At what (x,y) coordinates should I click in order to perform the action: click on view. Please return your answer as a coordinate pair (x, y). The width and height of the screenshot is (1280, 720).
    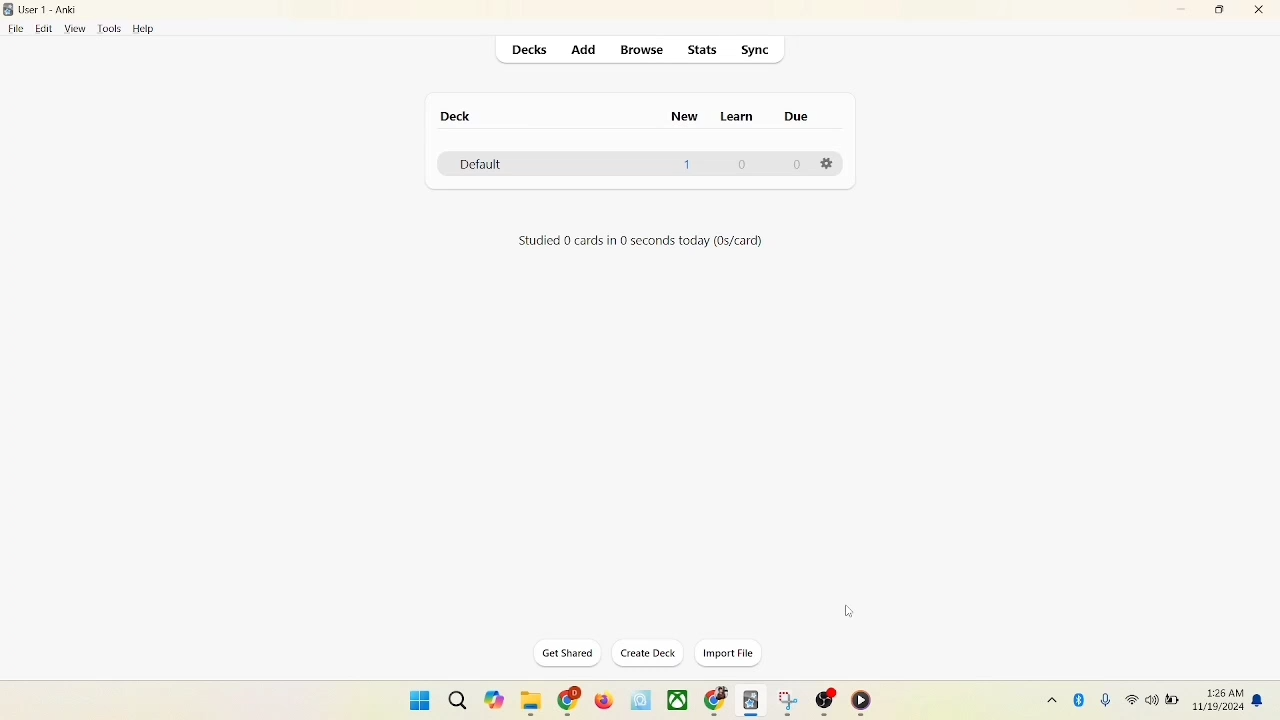
    Looking at the image, I should click on (77, 30).